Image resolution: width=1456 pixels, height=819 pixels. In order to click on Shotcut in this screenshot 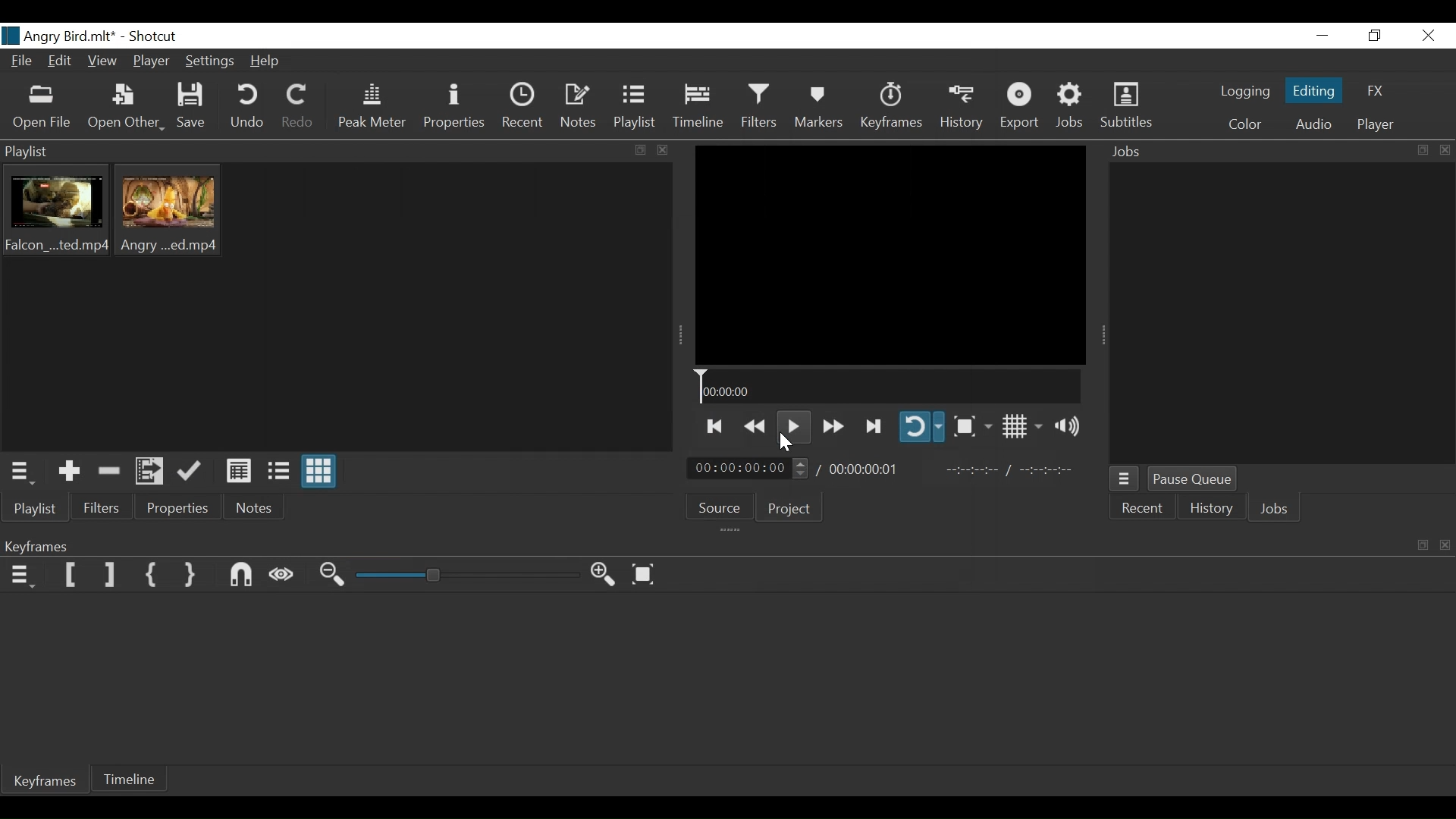, I will do `click(158, 36)`.